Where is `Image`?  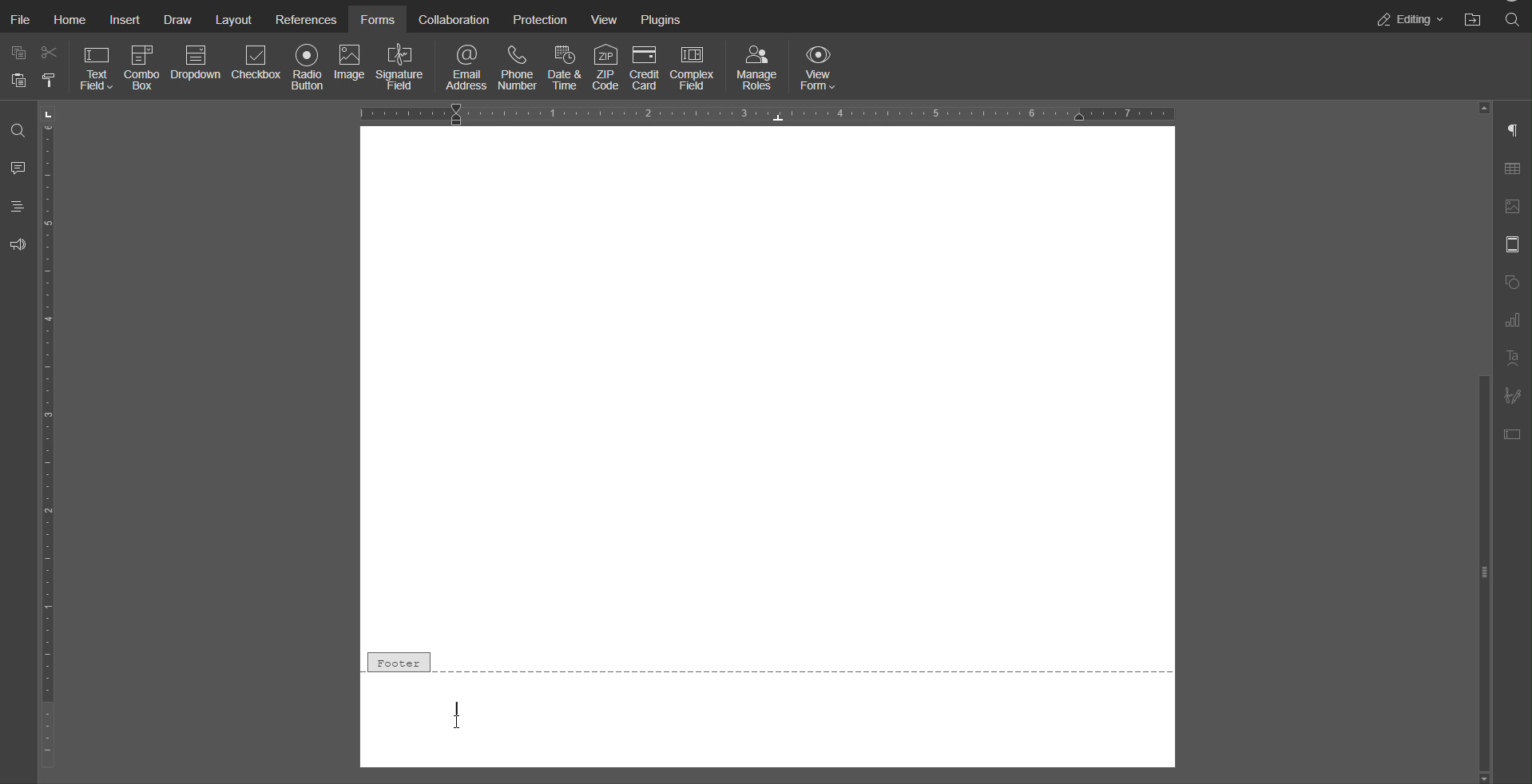 Image is located at coordinates (351, 69).